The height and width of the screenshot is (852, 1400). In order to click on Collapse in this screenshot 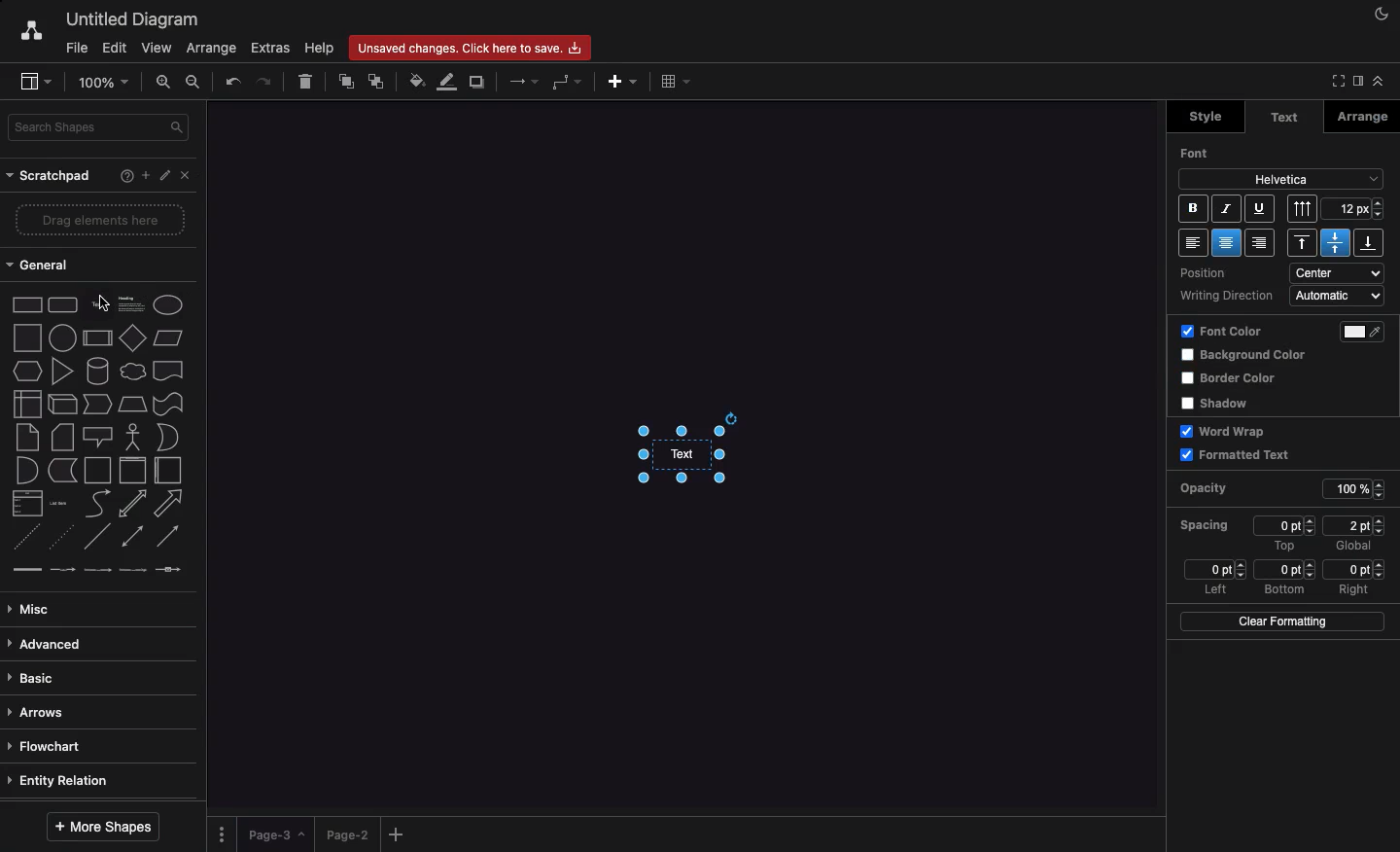, I will do `click(1378, 81)`.